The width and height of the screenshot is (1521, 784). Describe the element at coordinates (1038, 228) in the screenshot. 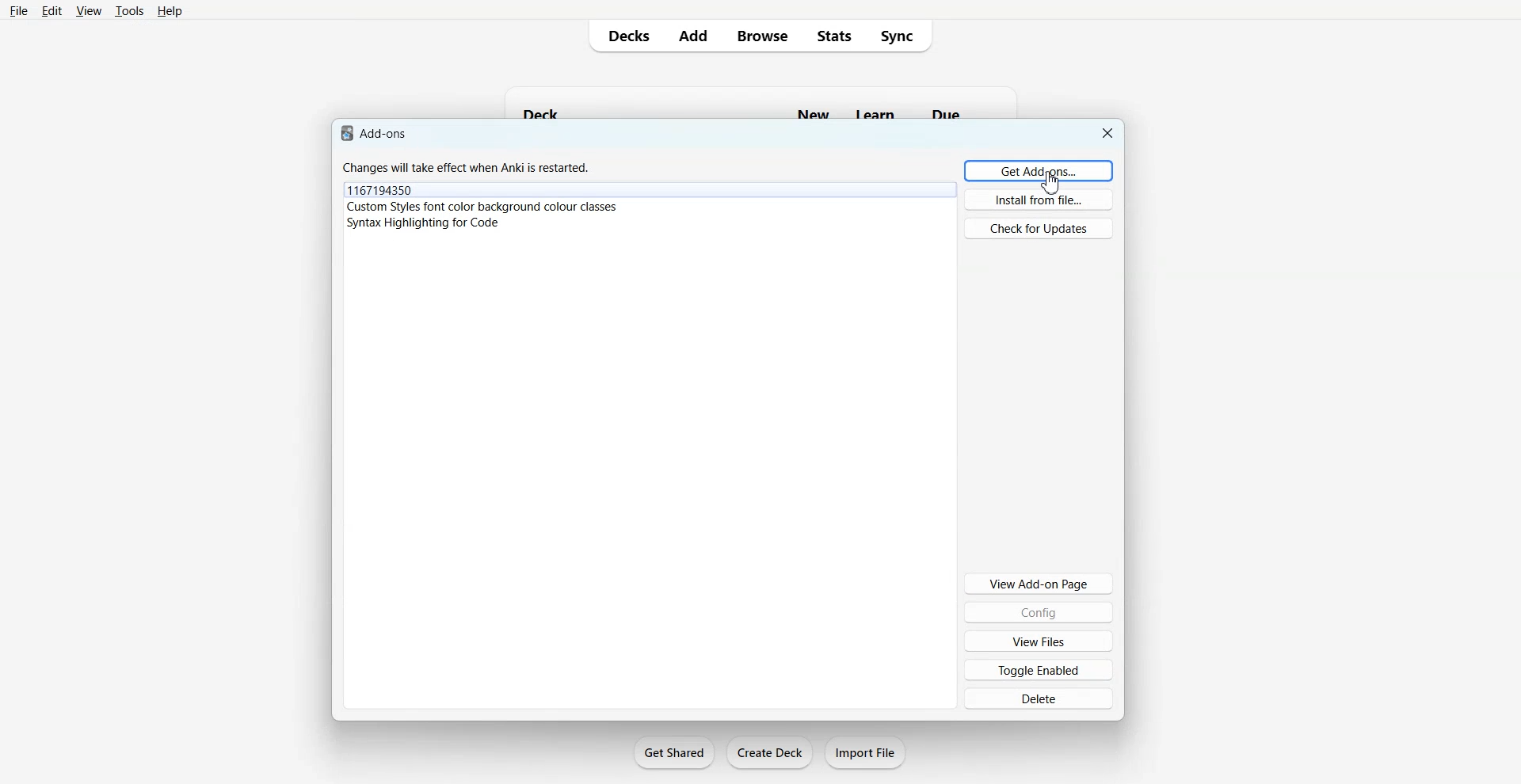

I see `Check for Updates` at that location.